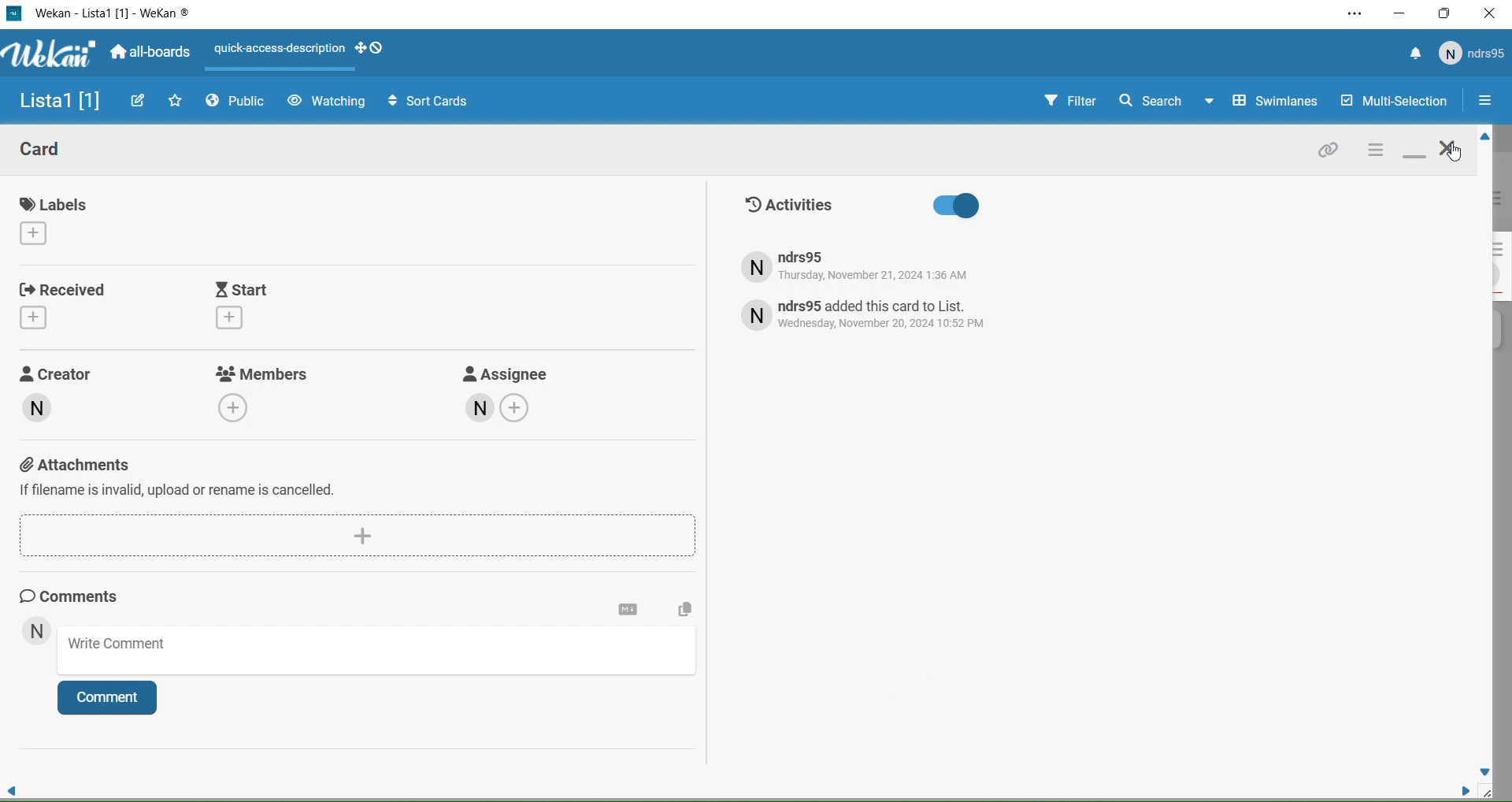  I want to click on cursor, so click(1458, 161).